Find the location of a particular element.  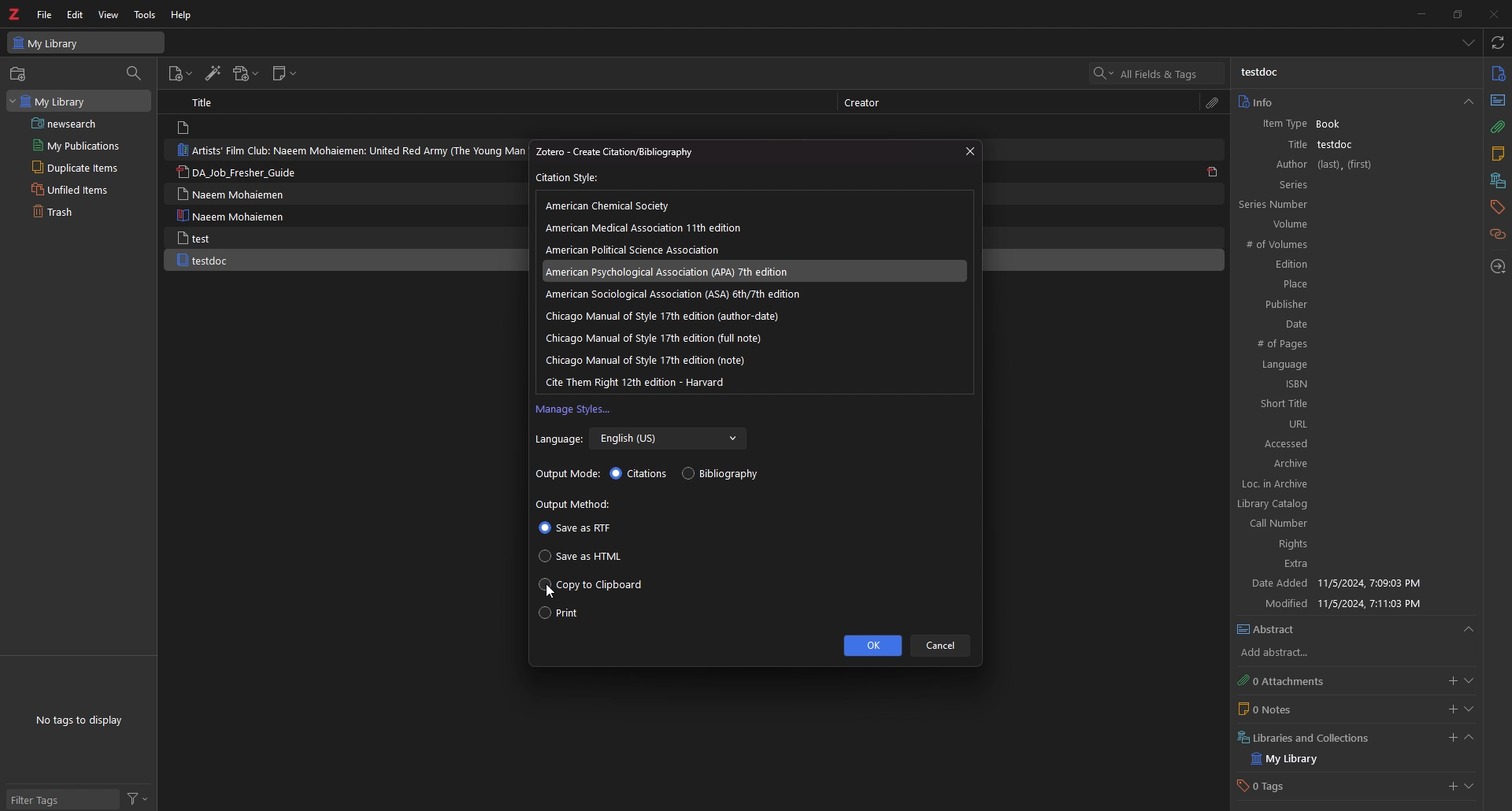

testdoc is located at coordinates (1338, 144).